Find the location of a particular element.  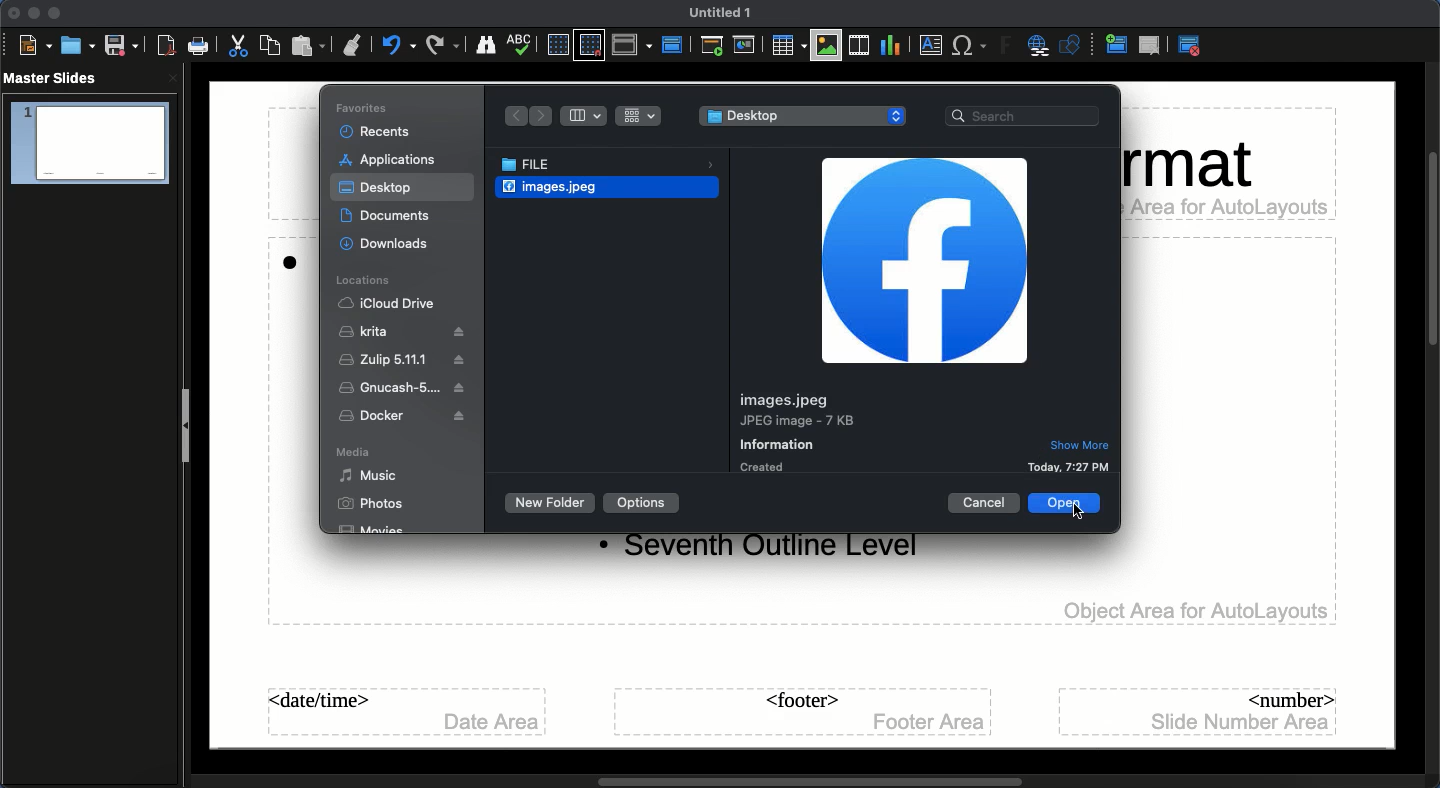

 Object Area for AutoLayouts is located at coordinates (1196, 612).